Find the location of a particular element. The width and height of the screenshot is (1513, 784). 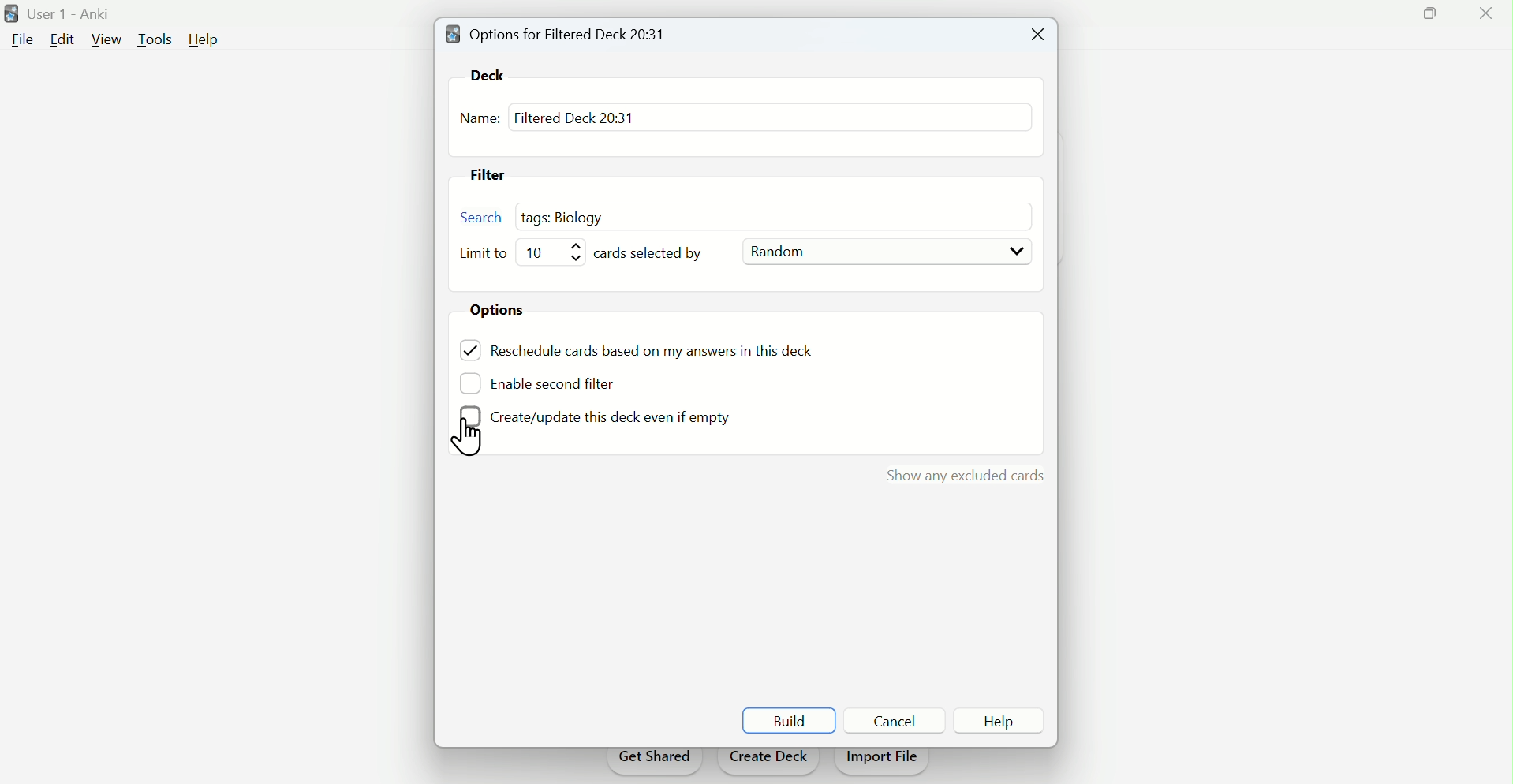

Get shared is located at coordinates (653, 762).